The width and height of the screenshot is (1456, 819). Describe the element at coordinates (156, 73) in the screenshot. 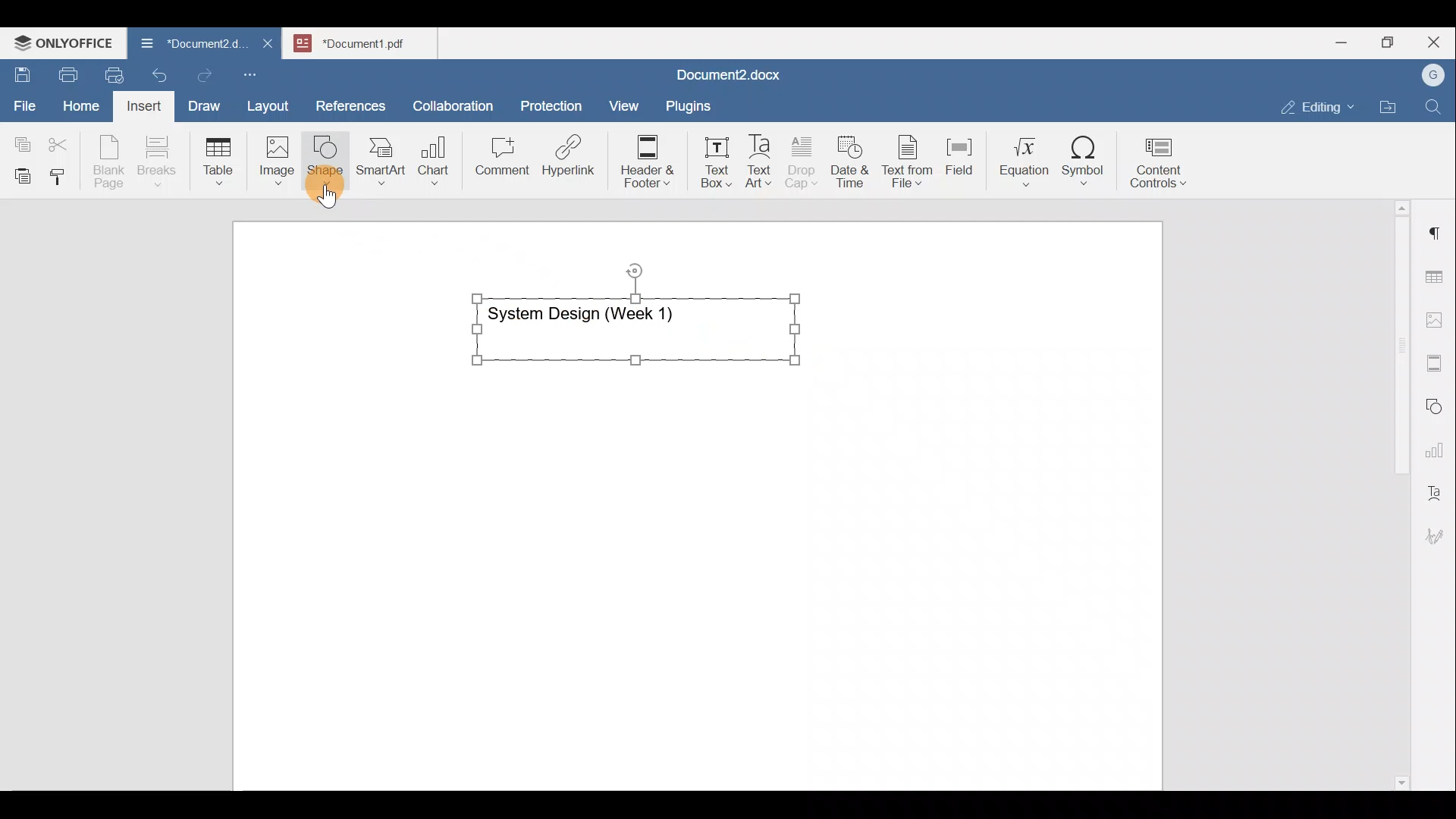

I see `Undo` at that location.